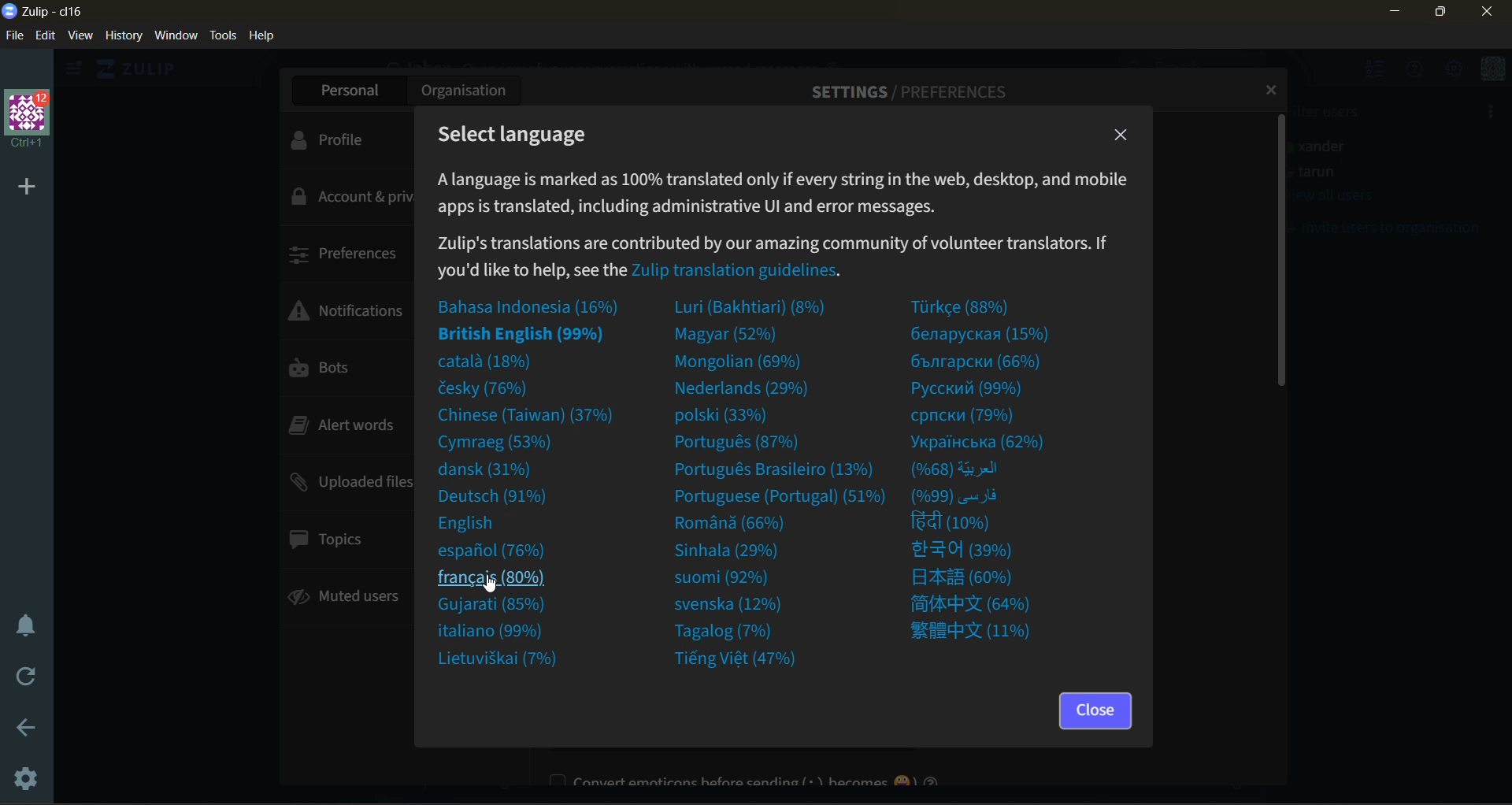 The image size is (1512, 805). Describe the element at coordinates (749, 363) in the screenshot. I see `mongolian` at that location.